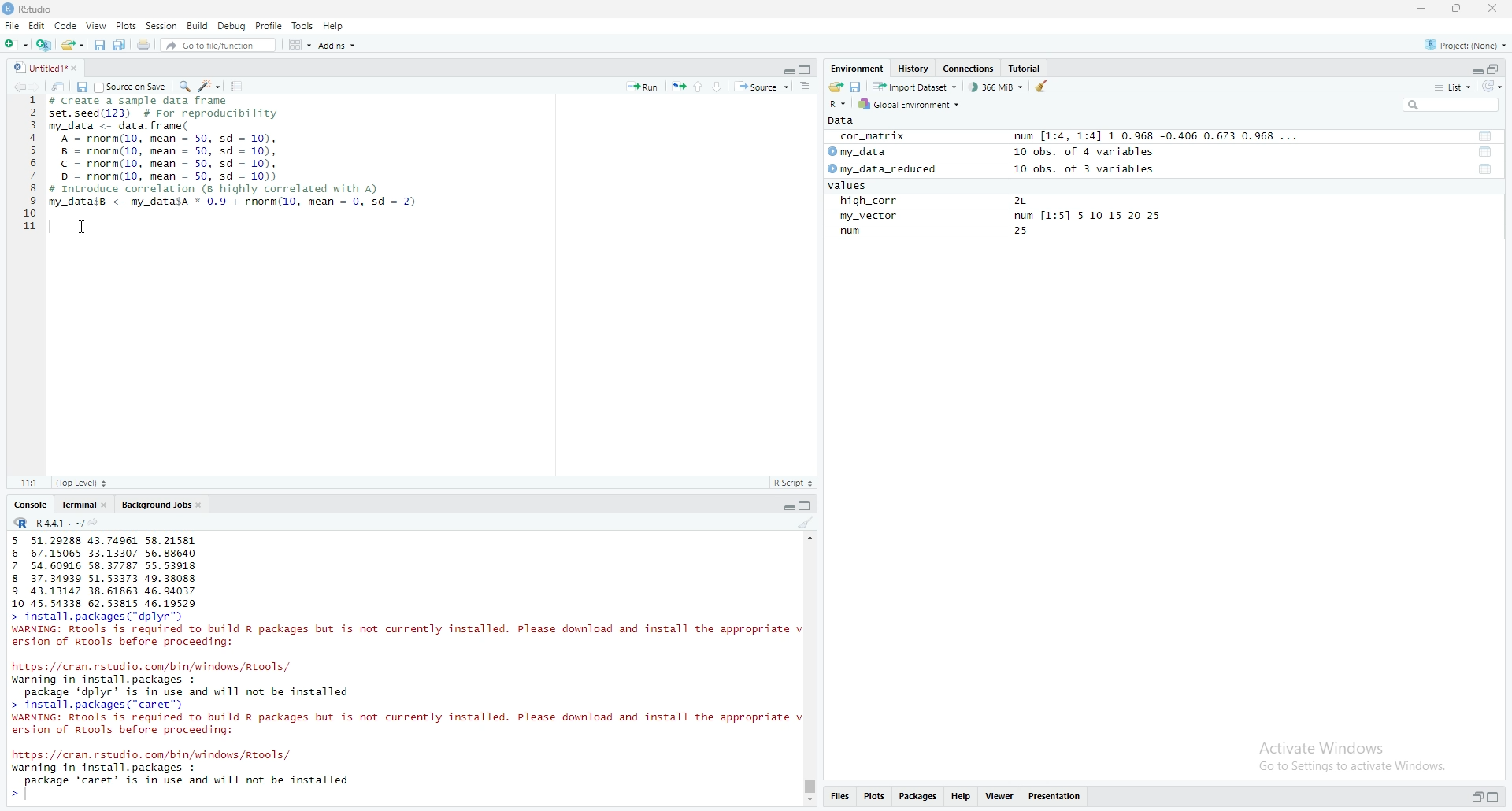 The width and height of the screenshot is (1512, 811). Describe the element at coordinates (162, 26) in the screenshot. I see `Session ` at that location.